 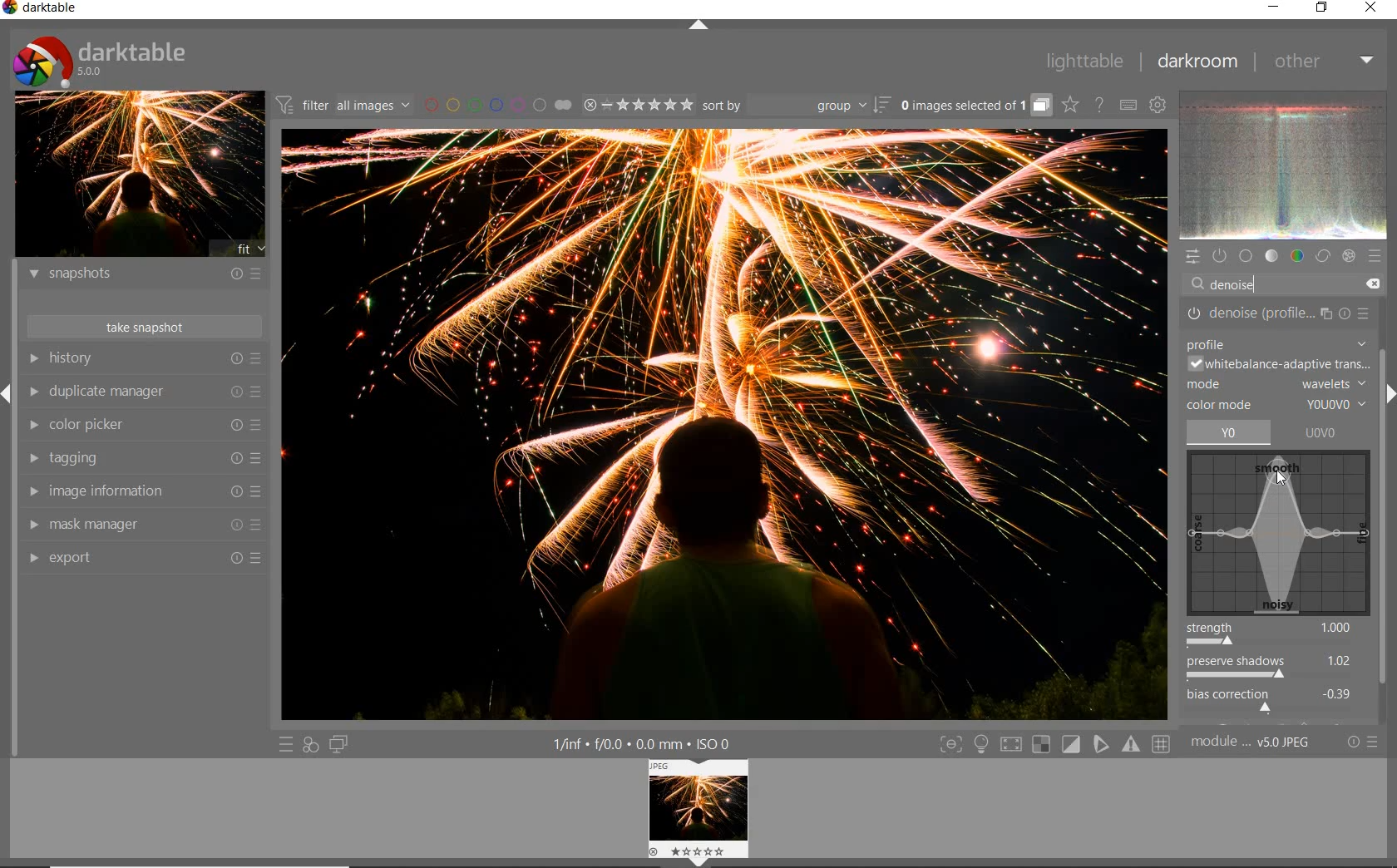 I want to click on filter images by color labels, so click(x=496, y=105).